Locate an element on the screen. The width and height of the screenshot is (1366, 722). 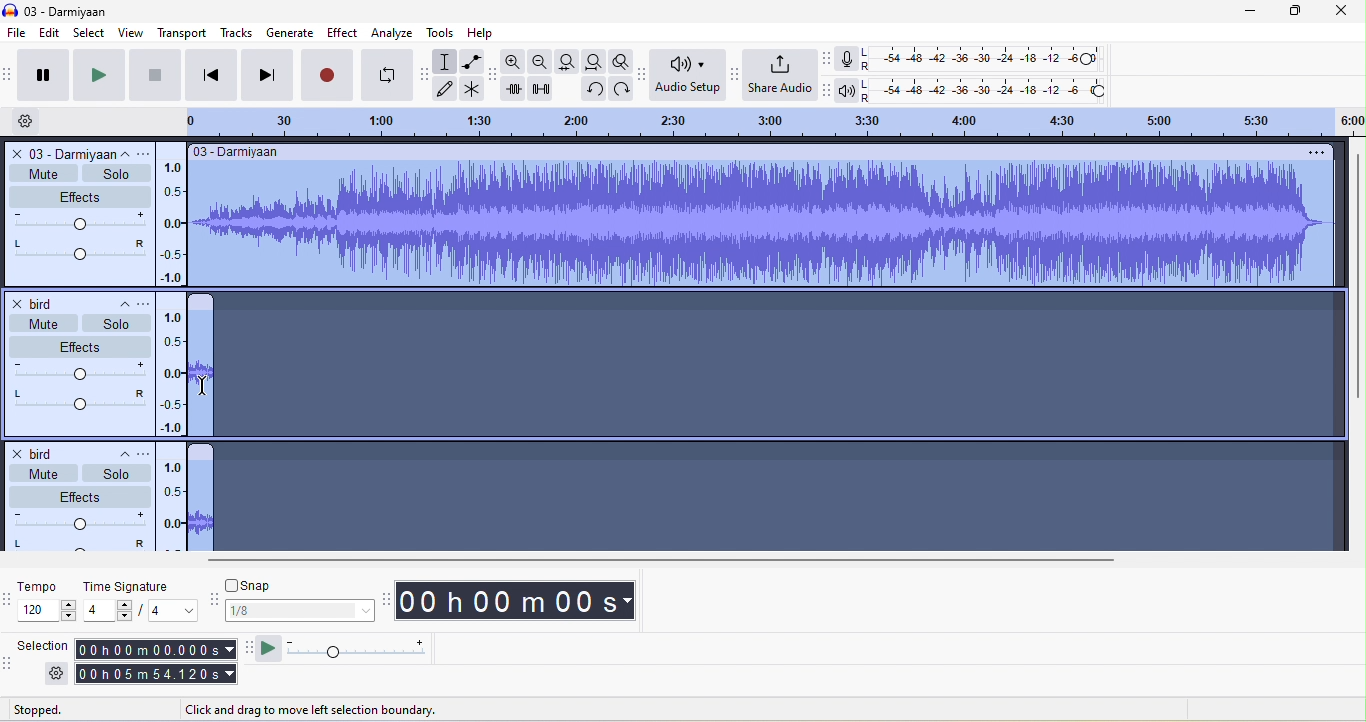
mute is located at coordinates (40, 473).